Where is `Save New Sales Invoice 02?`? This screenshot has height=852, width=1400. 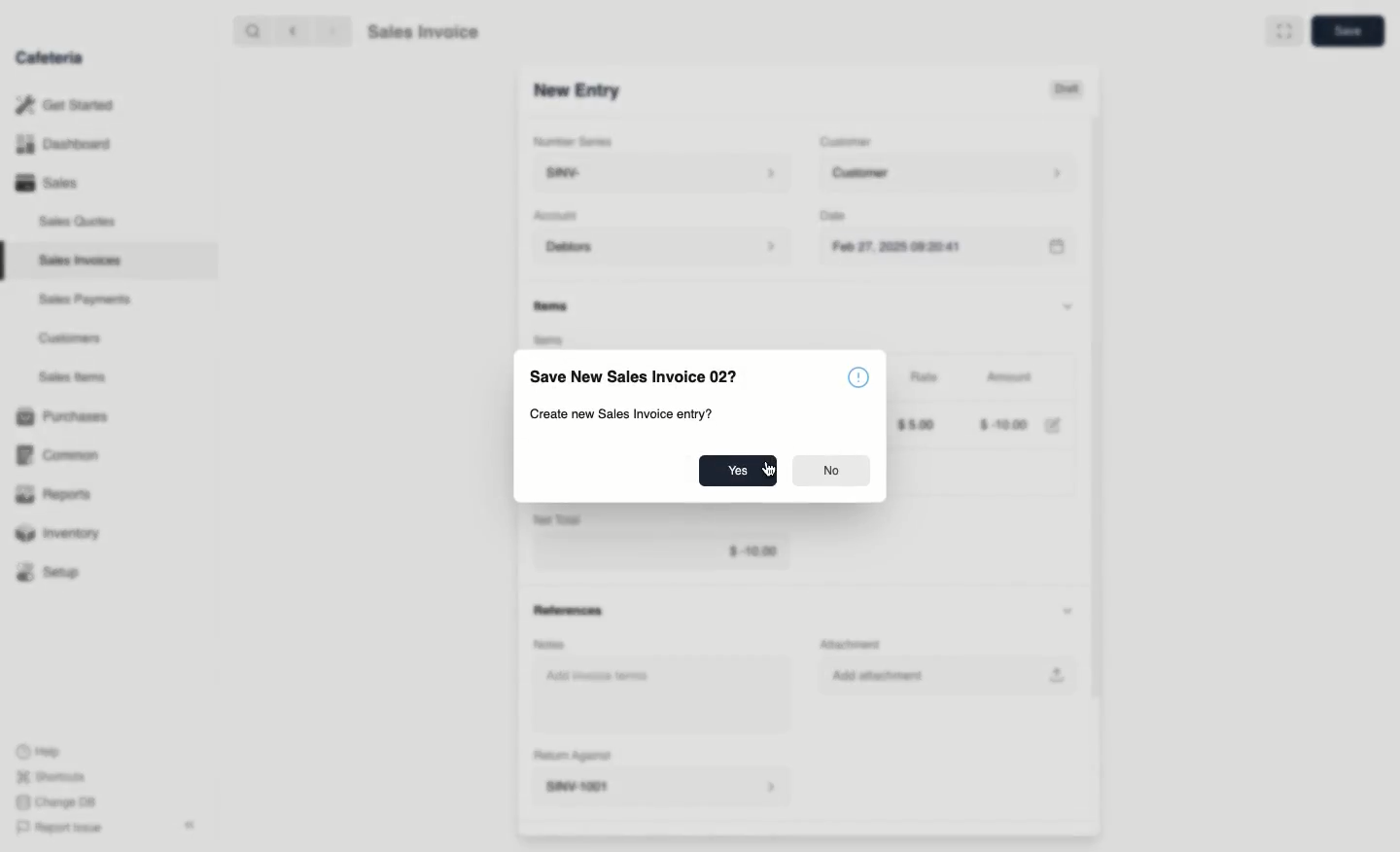
Save New Sales Invoice 02? is located at coordinates (637, 377).